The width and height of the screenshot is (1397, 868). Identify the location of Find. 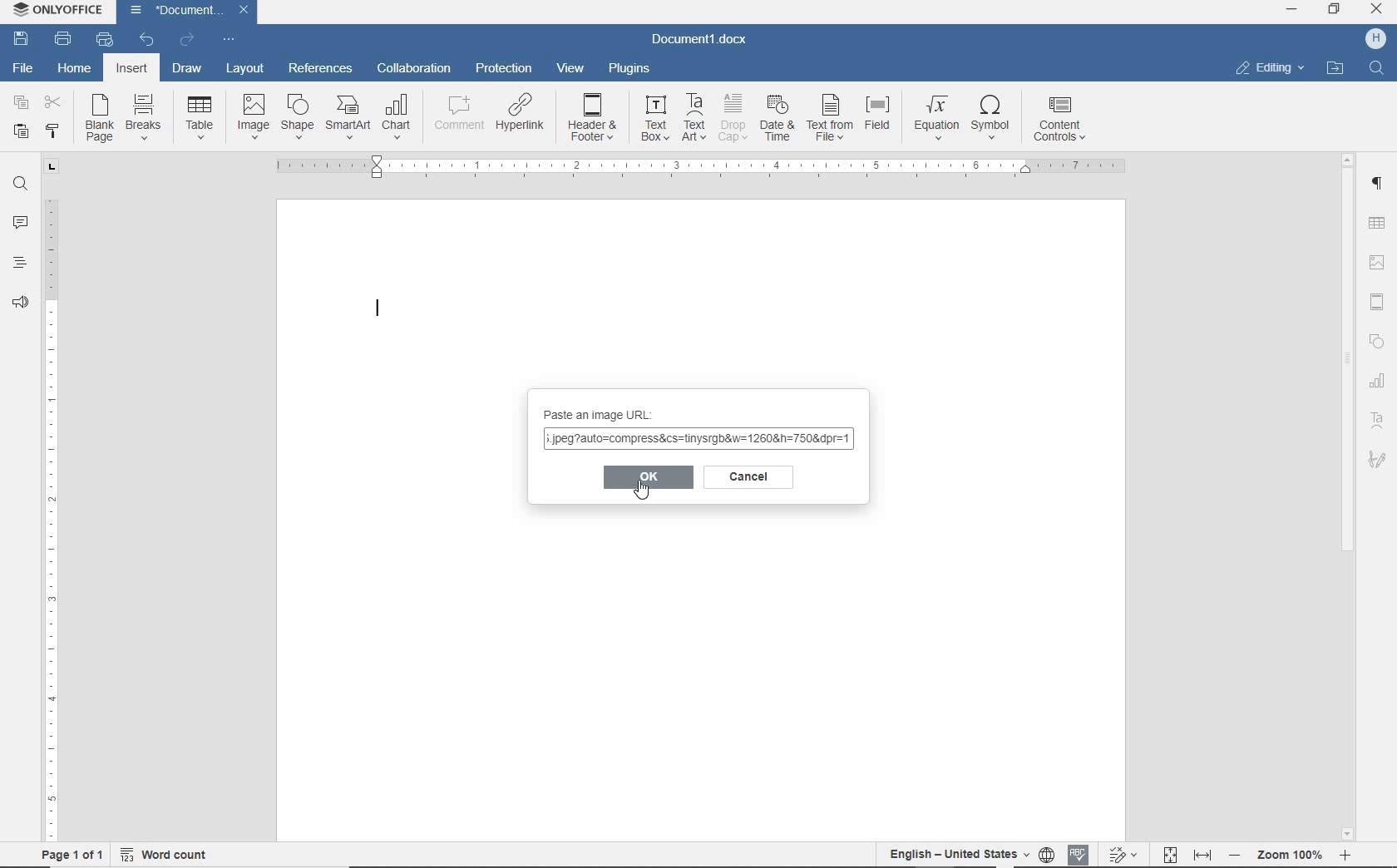
(1380, 70).